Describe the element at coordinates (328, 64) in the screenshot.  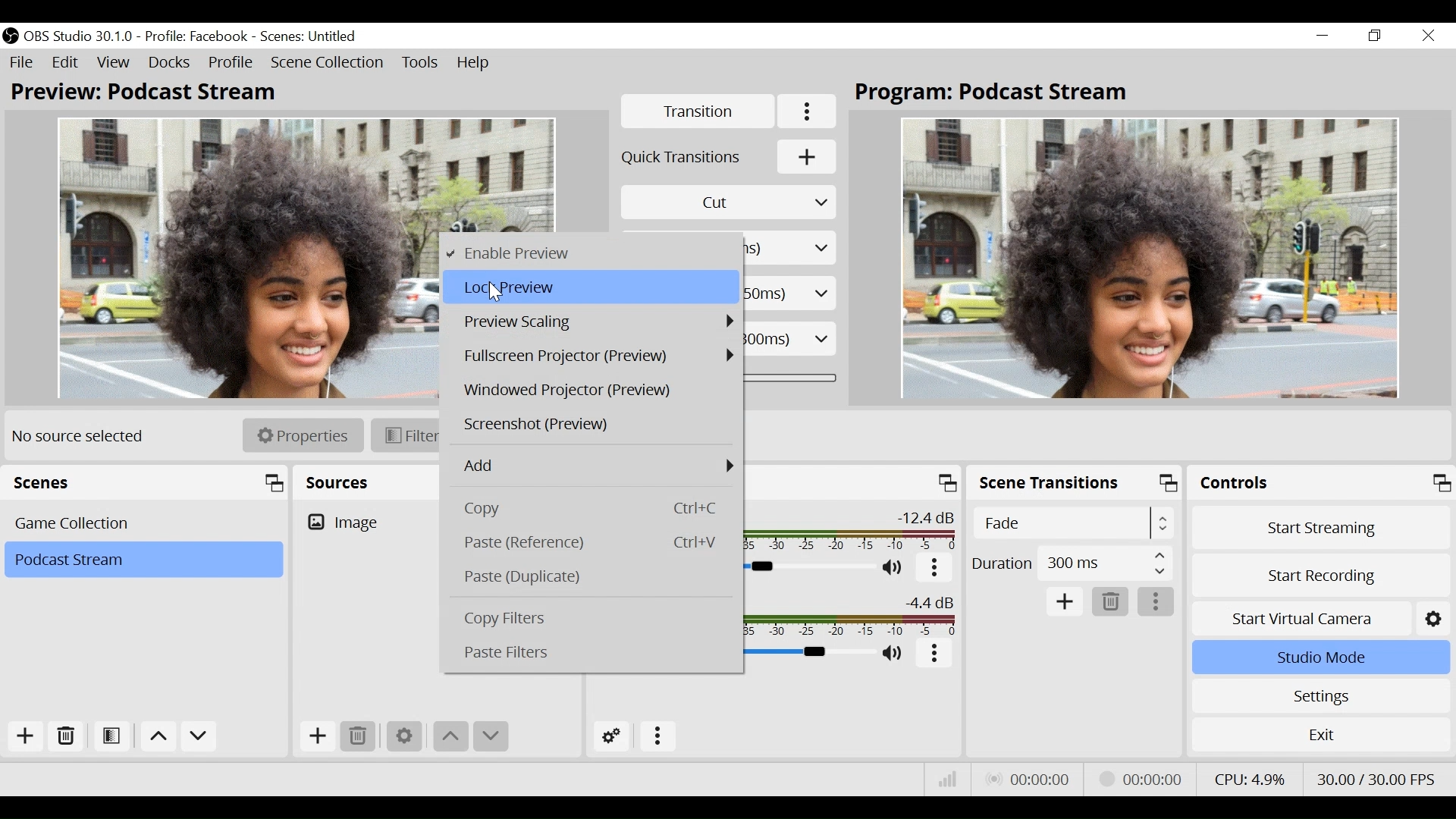
I see `Scene Collection` at that location.